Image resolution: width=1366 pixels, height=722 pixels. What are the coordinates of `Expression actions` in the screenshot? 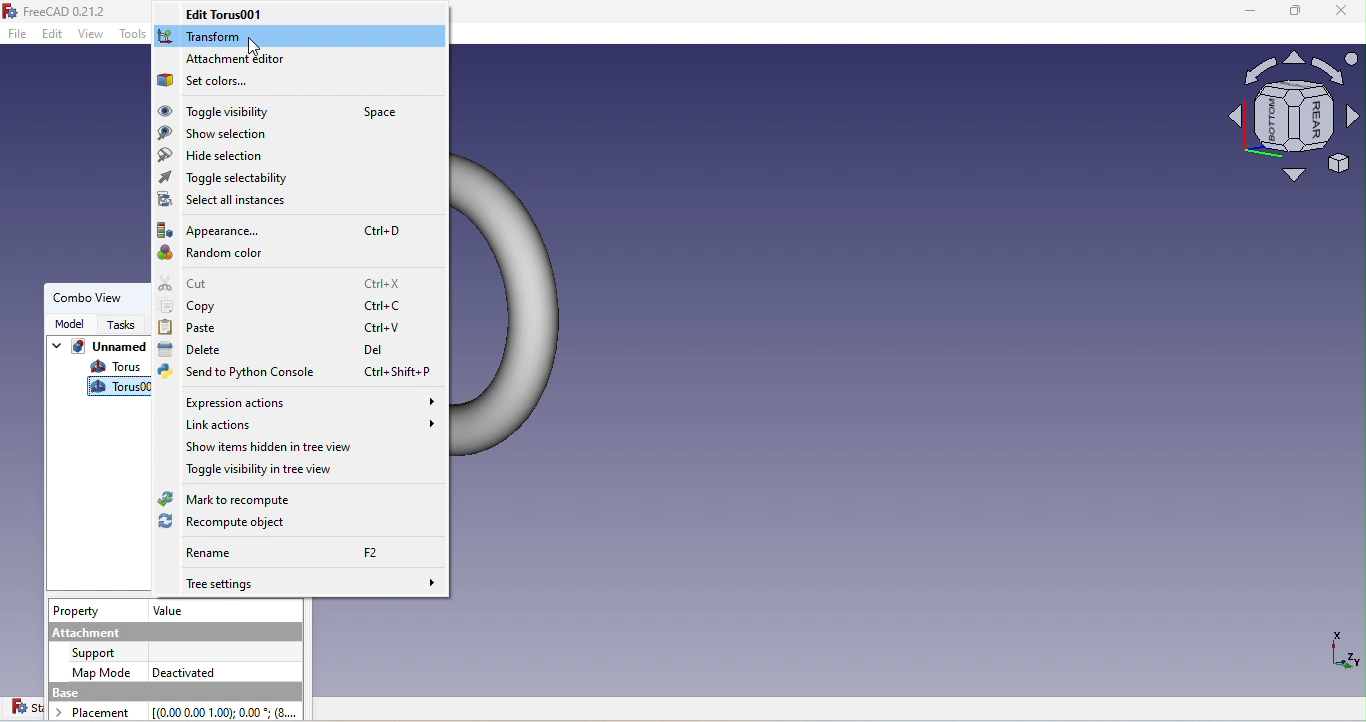 It's located at (306, 402).